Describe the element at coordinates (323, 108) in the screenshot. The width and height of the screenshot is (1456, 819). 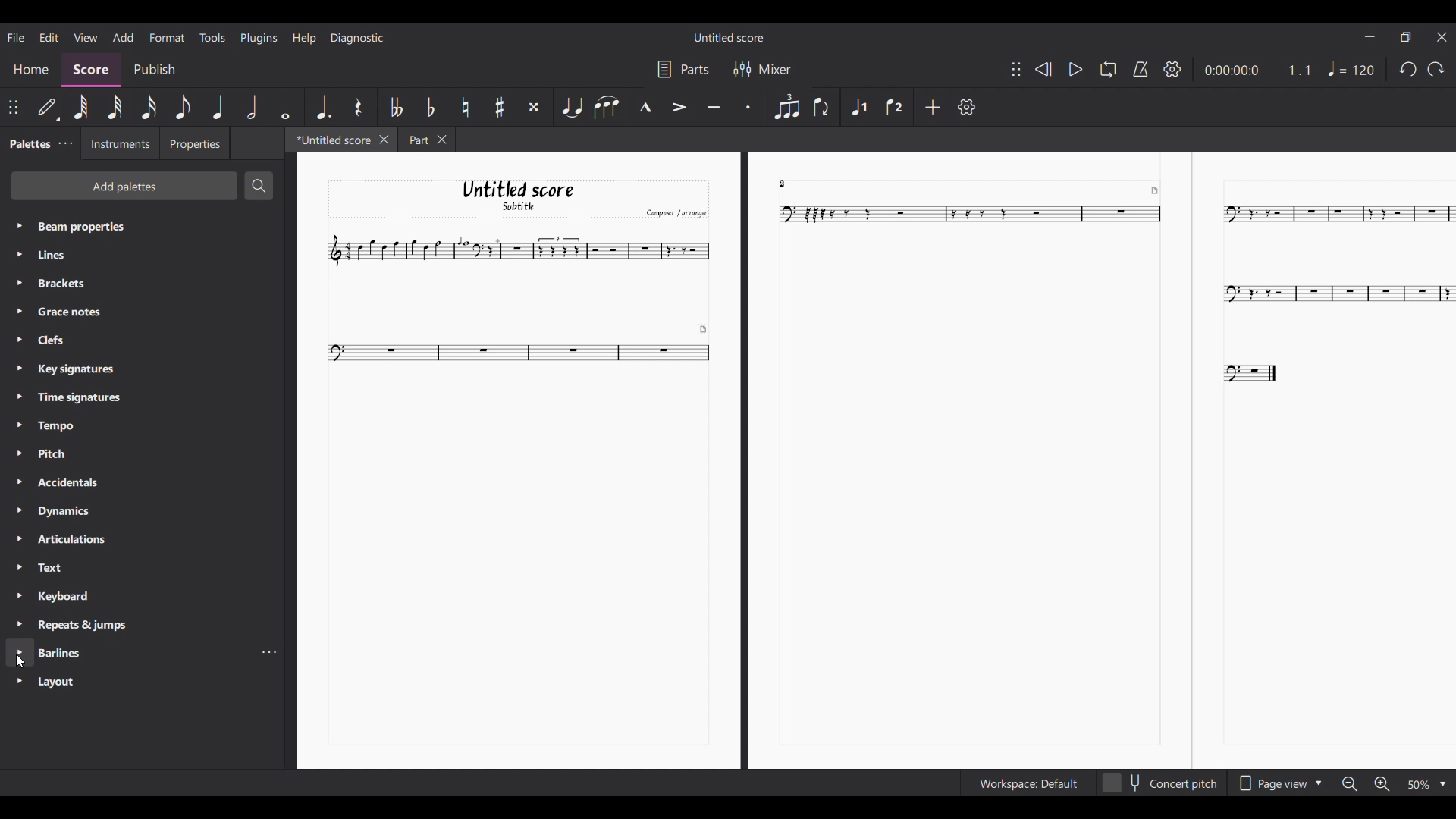
I see `Augmentation dot` at that location.